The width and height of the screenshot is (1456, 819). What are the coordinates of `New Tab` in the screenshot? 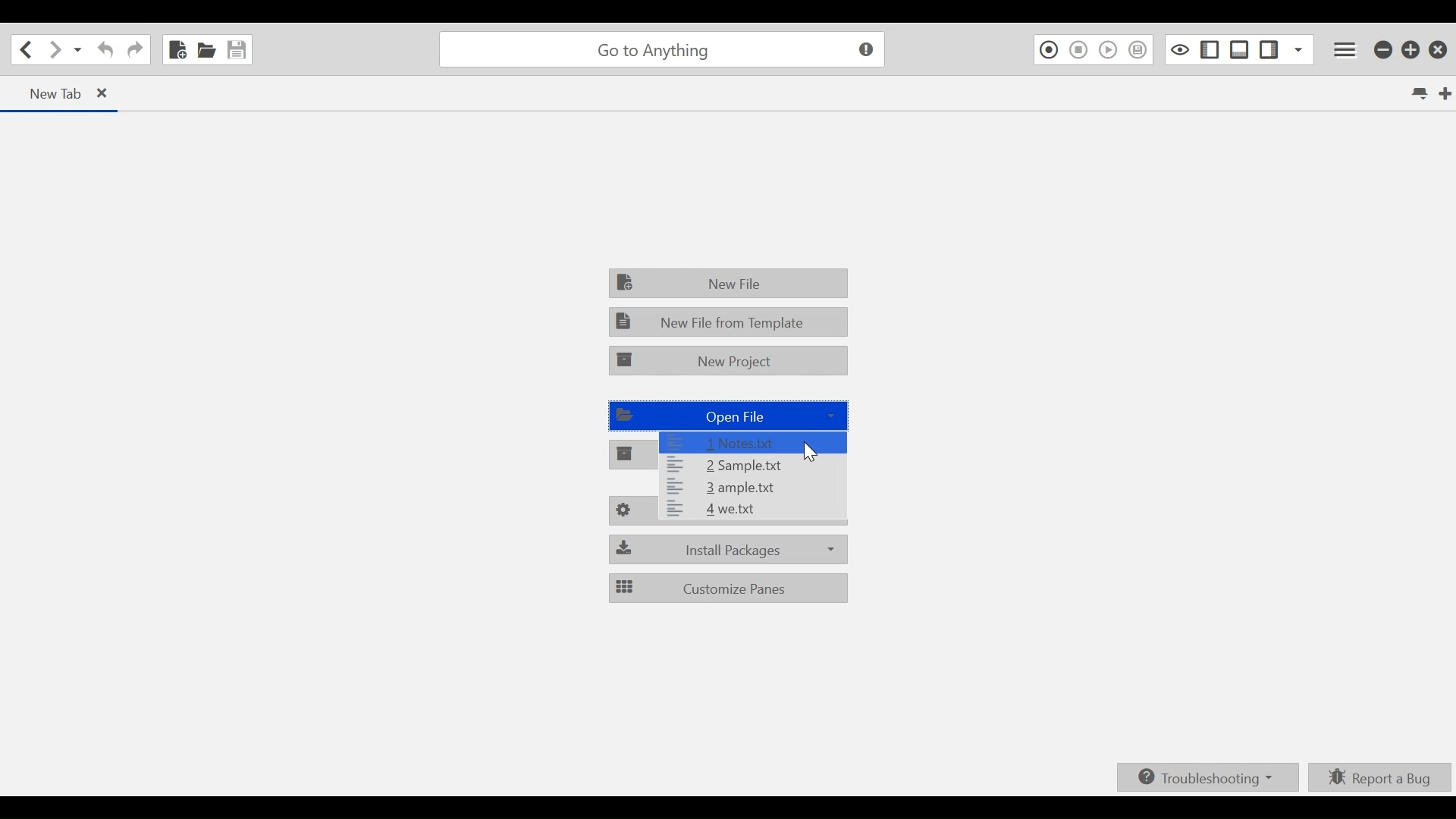 It's located at (62, 93).